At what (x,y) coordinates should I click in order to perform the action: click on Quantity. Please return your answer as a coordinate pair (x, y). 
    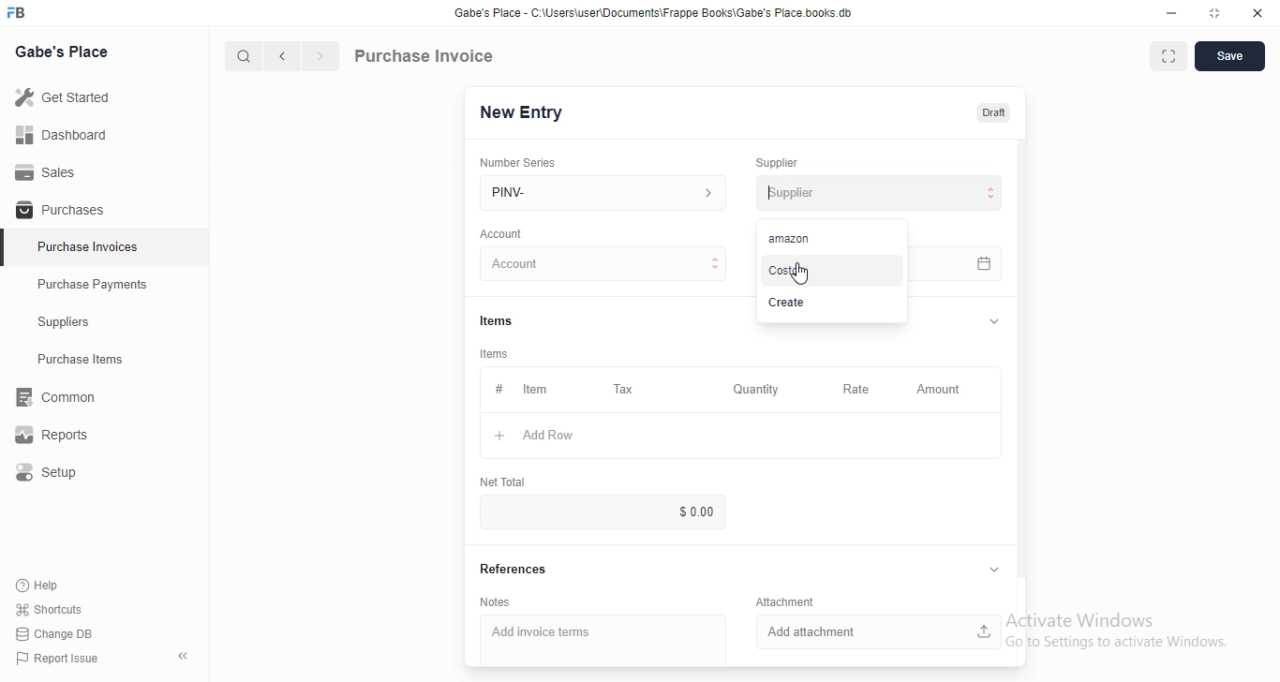
    Looking at the image, I should click on (757, 389).